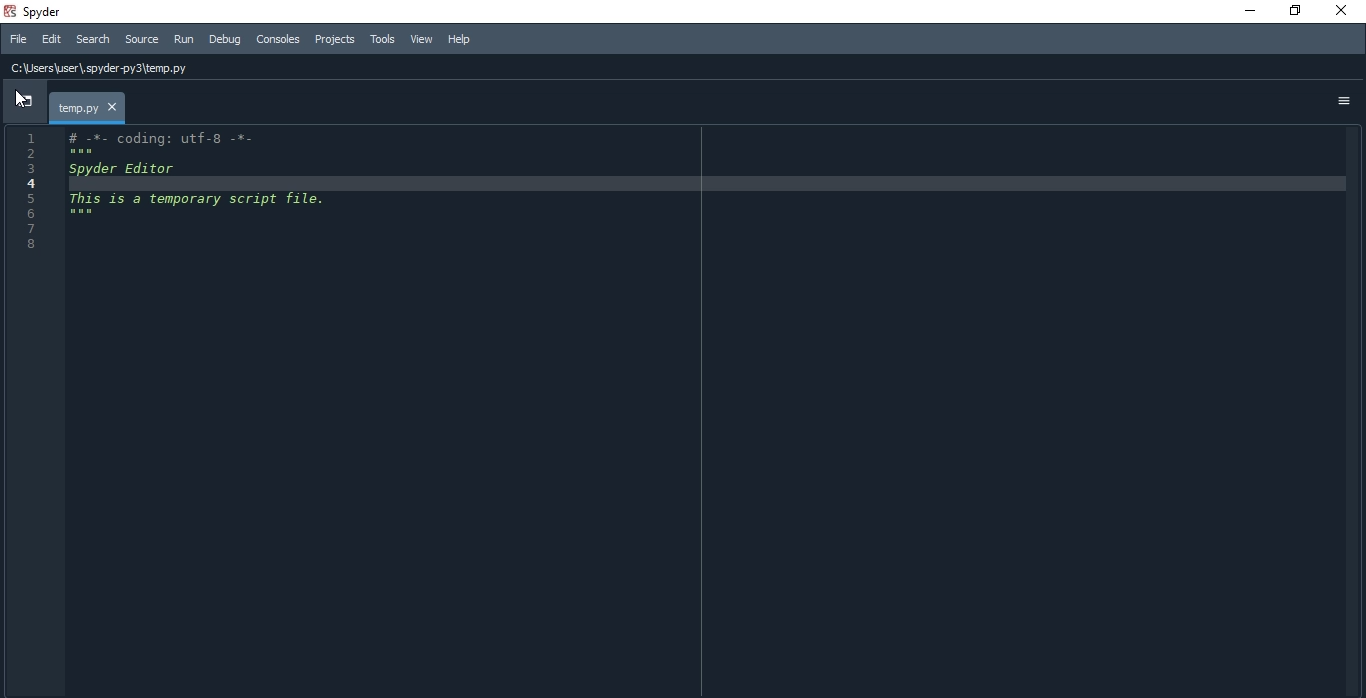  Describe the element at coordinates (422, 40) in the screenshot. I see `View` at that location.